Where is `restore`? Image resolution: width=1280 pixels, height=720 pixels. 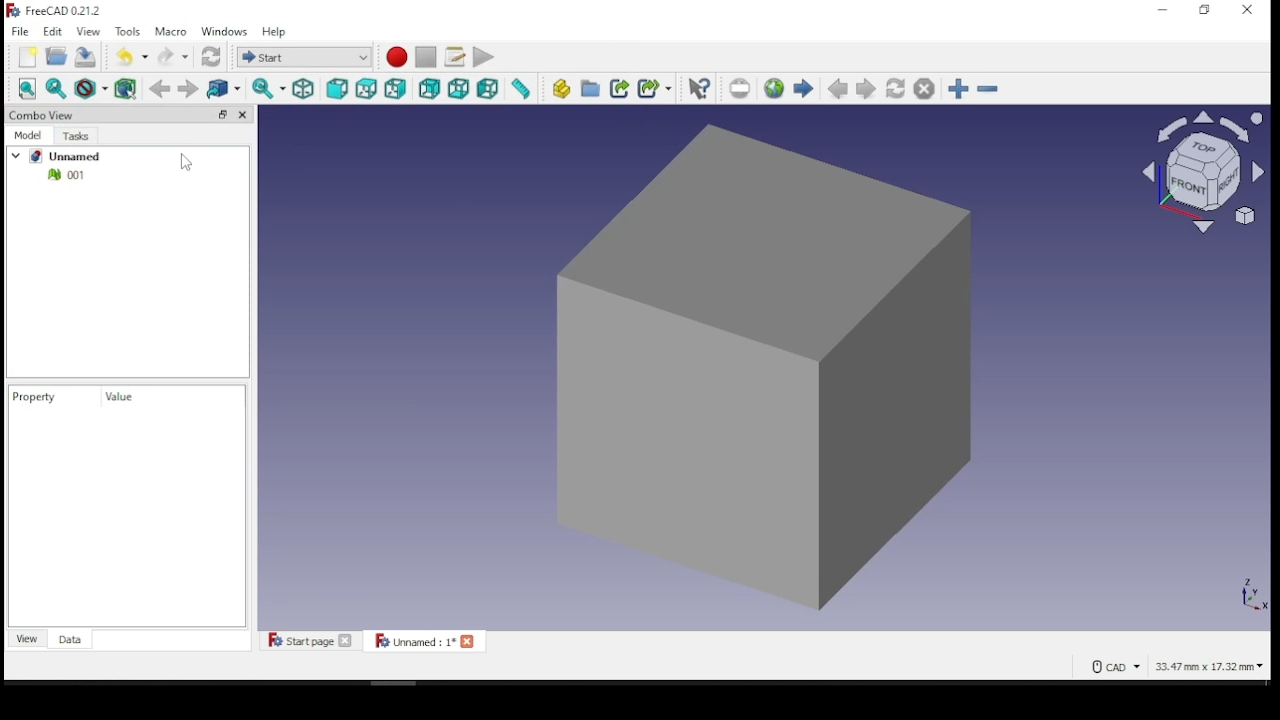
restore is located at coordinates (1204, 10).